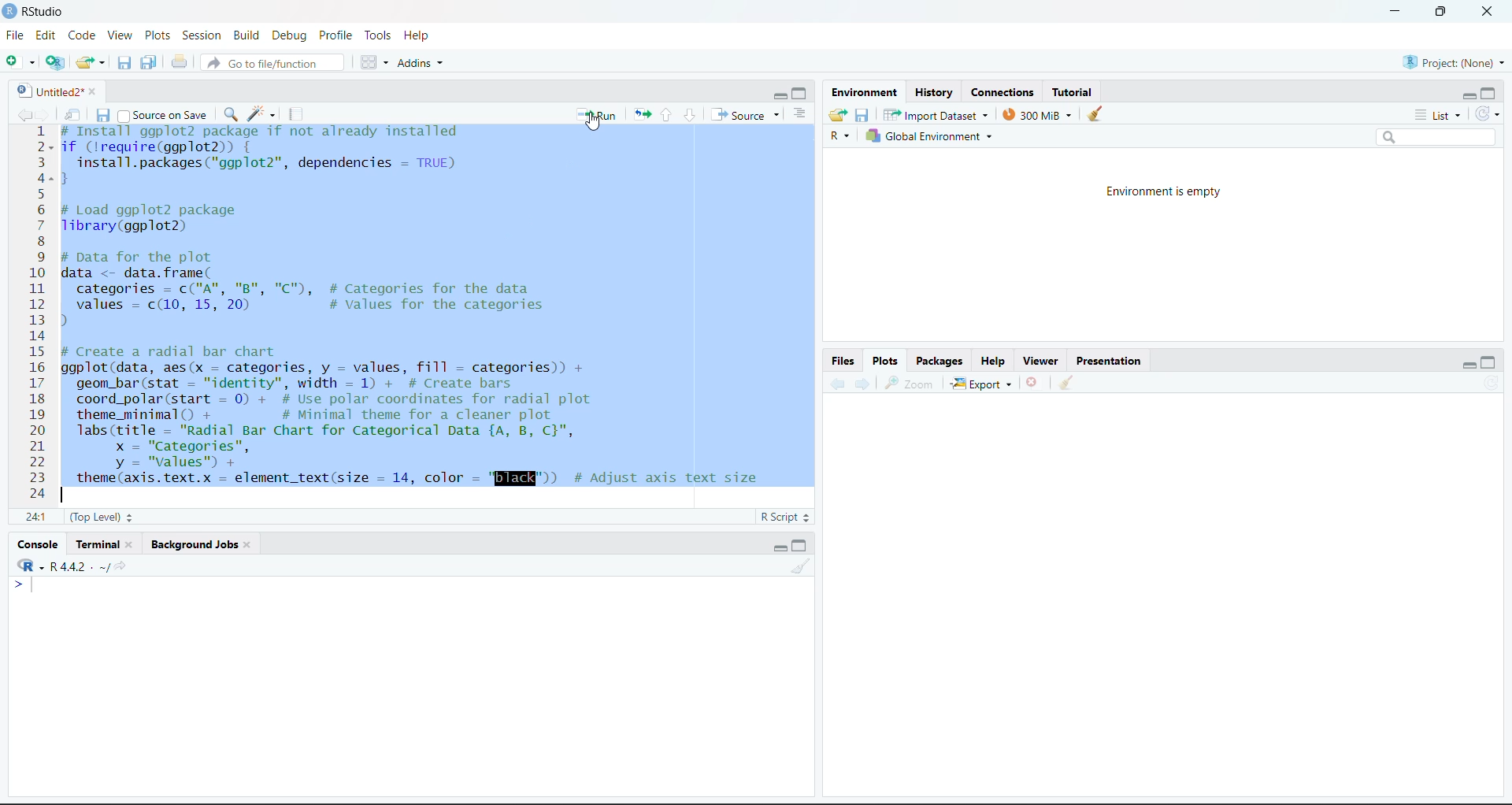 Image resolution: width=1512 pixels, height=805 pixels. I want to click on Connections, so click(1000, 93).